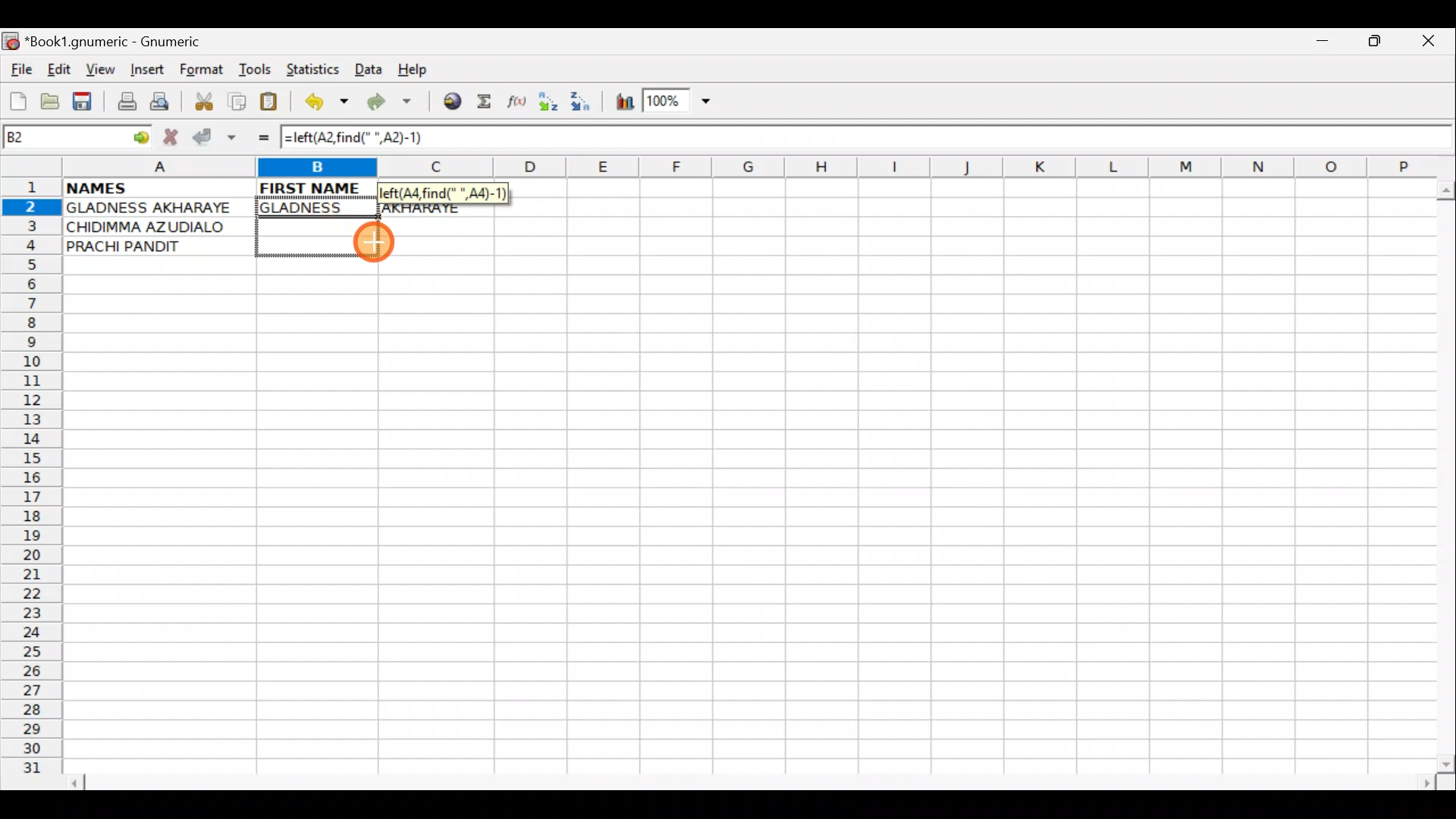 The width and height of the screenshot is (1456, 819). Describe the element at coordinates (368, 138) in the screenshot. I see `=left(A2, find(" ",A2)-1)` at that location.